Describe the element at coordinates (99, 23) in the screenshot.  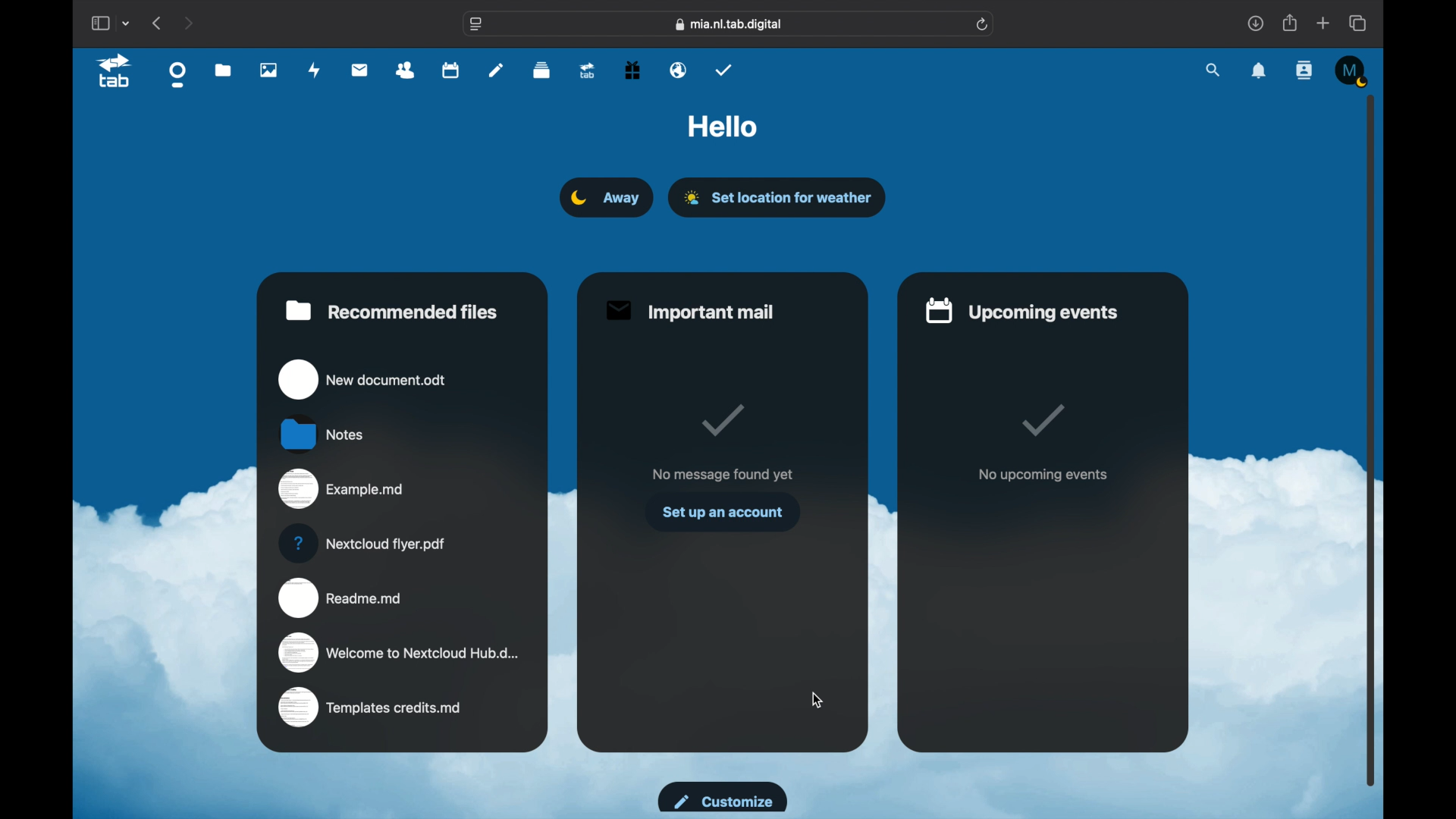
I see `show sidebar` at that location.